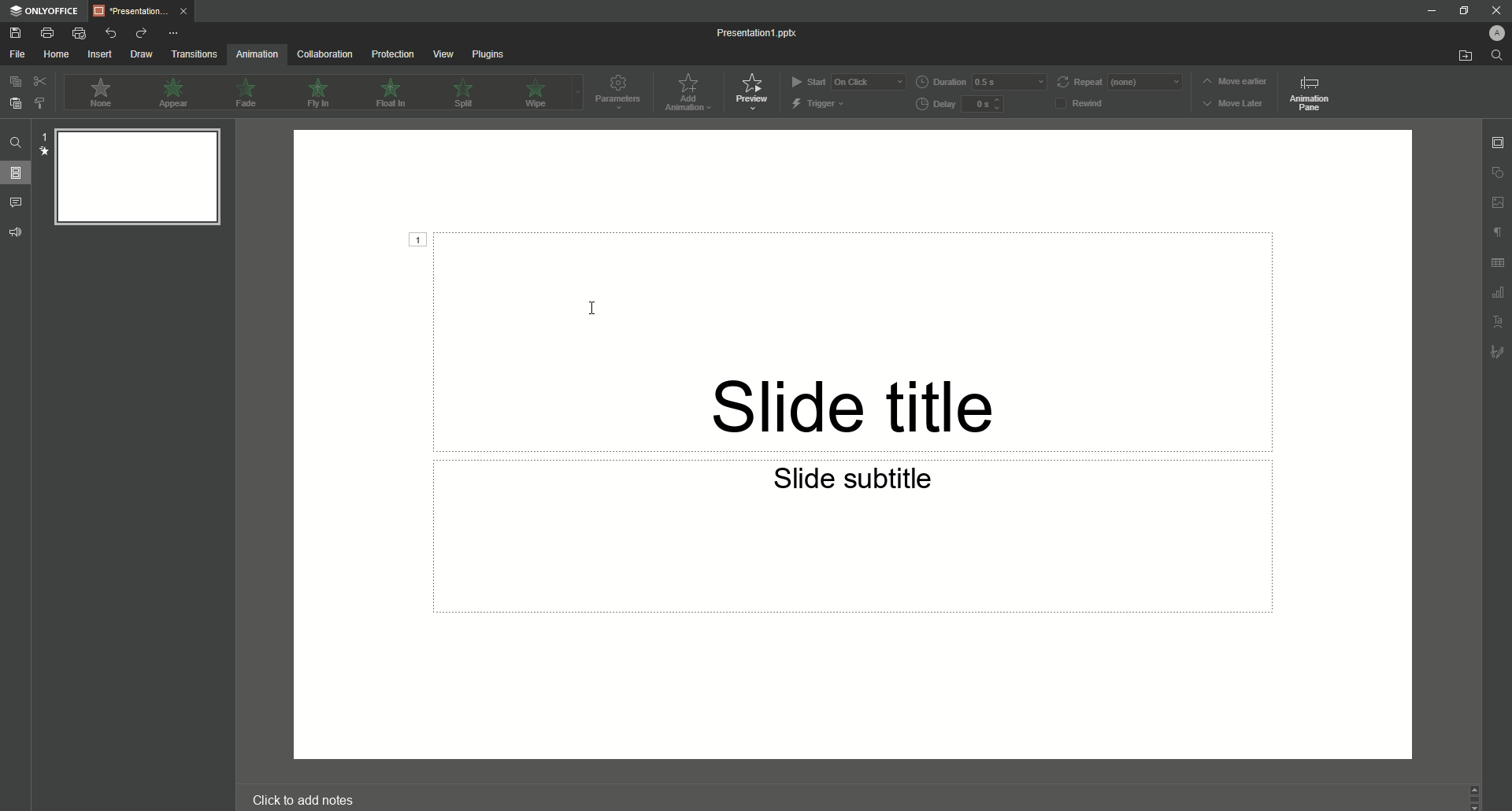 Image resolution: width=1512 pixels, height=811 pixels. Describe the element at coordinates (319, 92) in the screenshot. I see `Fly In` at that location.